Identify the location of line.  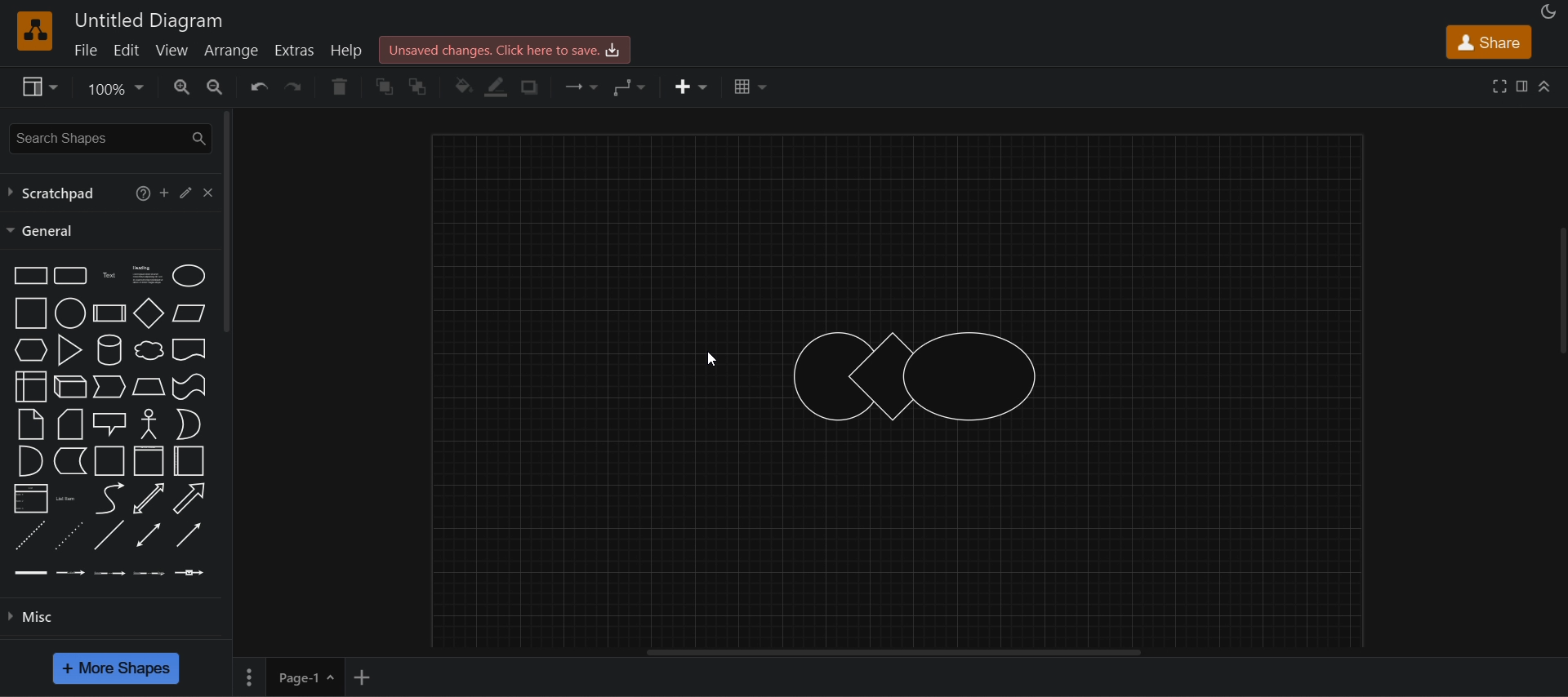
(108, 535).